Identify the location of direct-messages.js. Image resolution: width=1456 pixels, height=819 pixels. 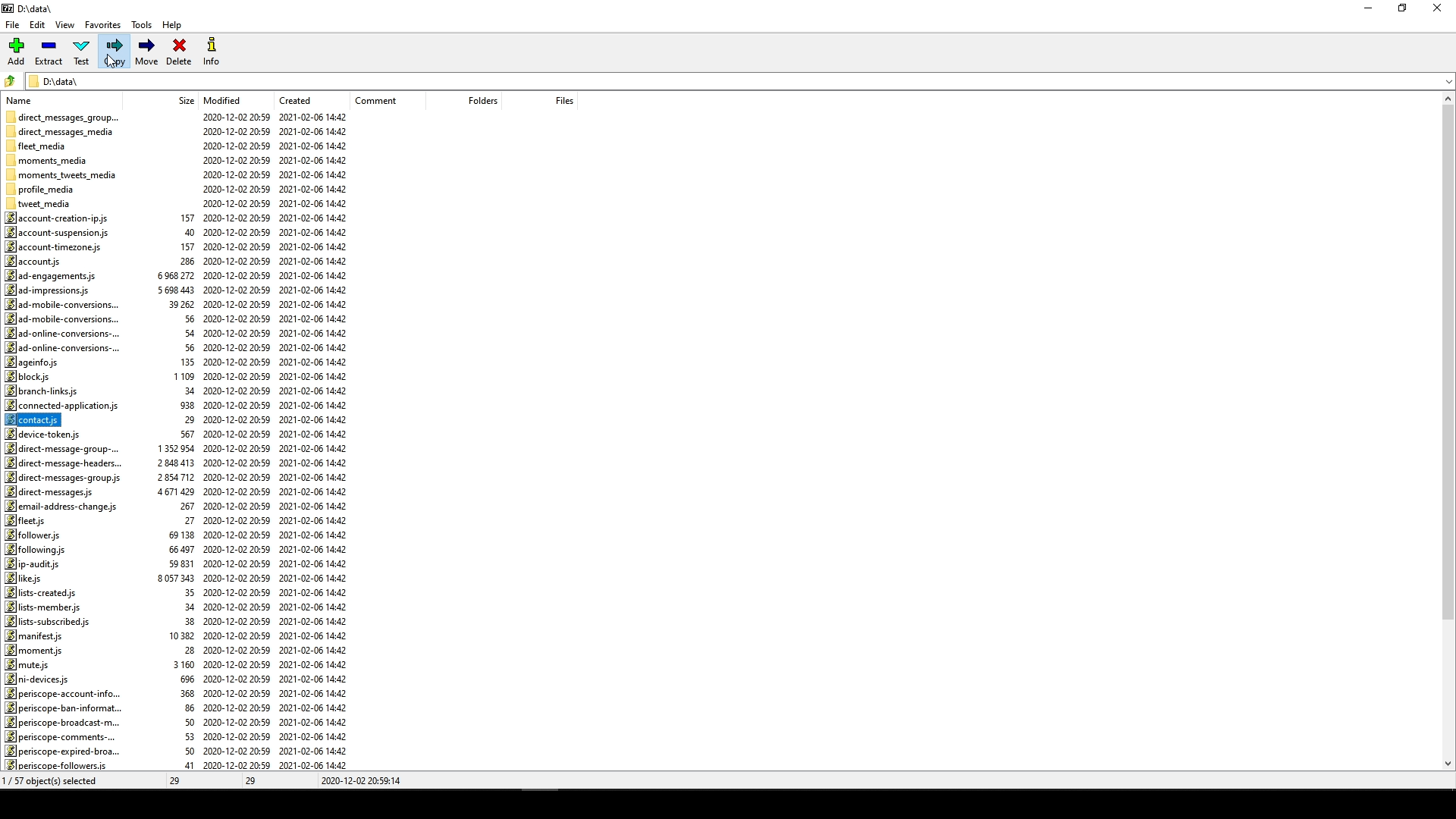
(52, 492).